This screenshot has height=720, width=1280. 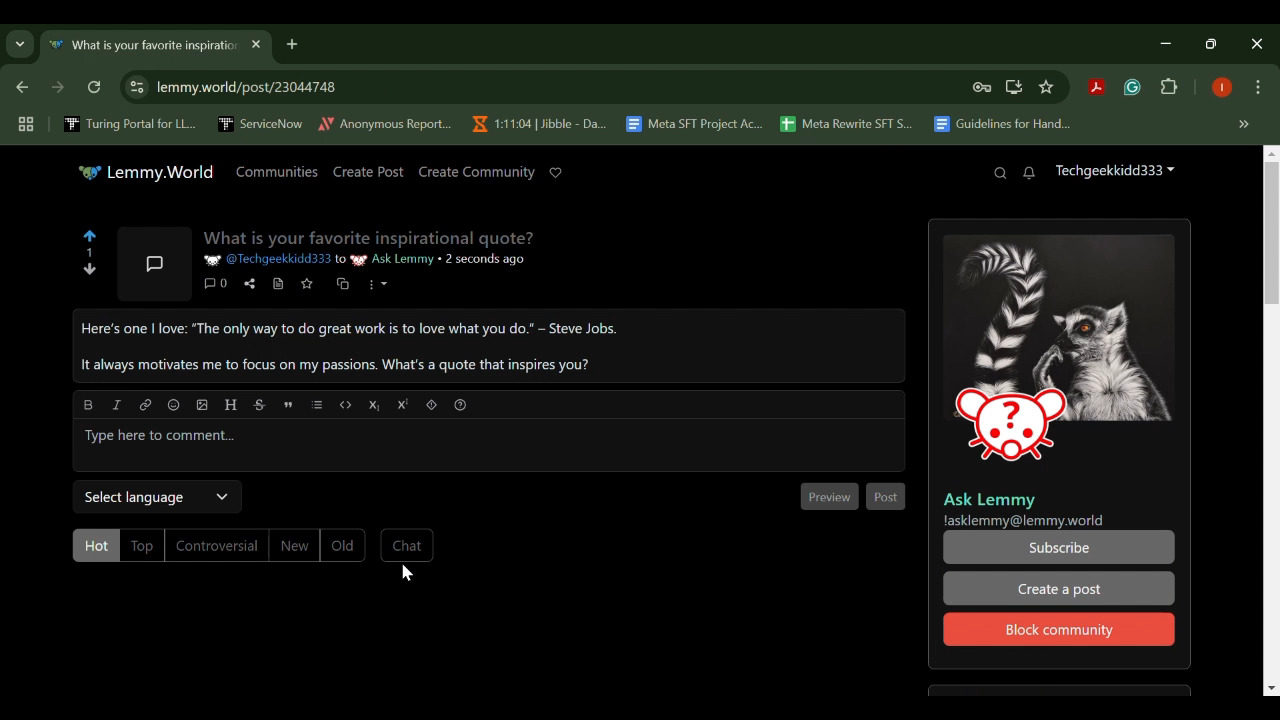 What do you see at coordinates (1000, 124) in the screenshot?
I see `Guidelines for Handling` at bounding box center [1000, 124].